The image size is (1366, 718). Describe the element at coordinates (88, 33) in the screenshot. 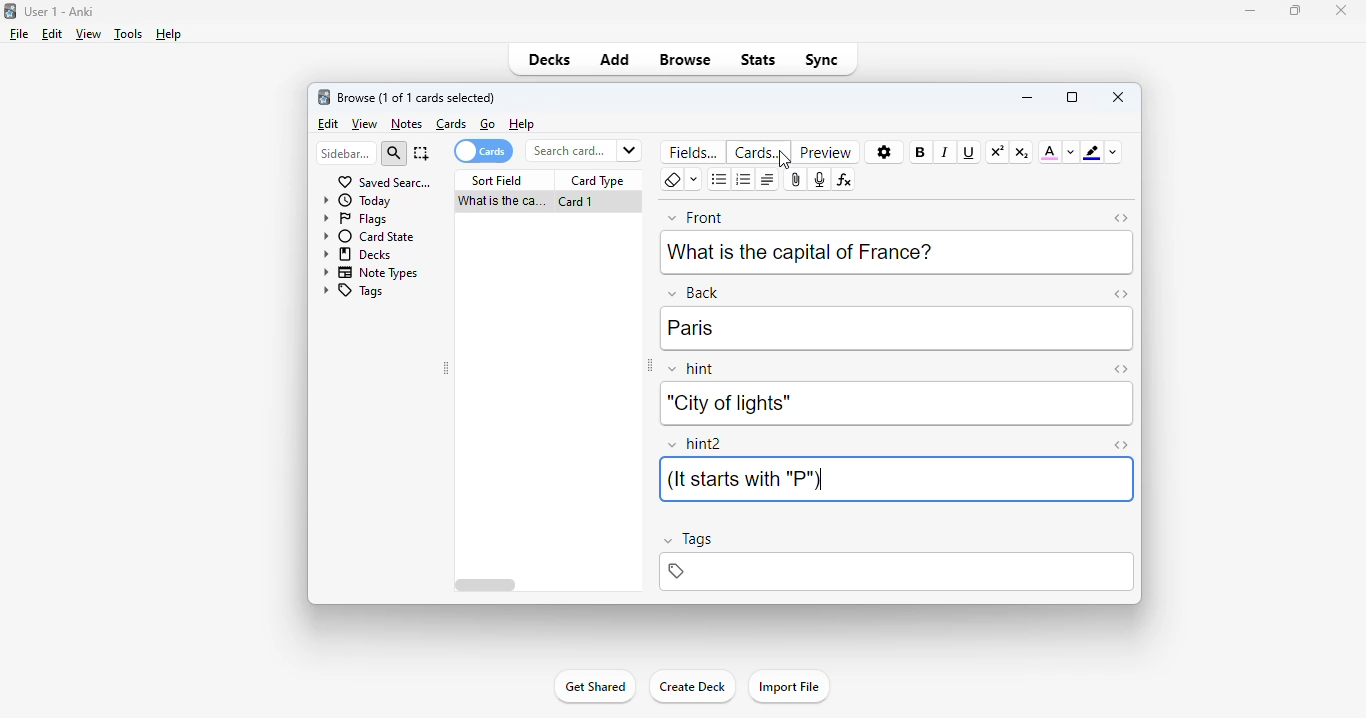

I see `view` at that location.